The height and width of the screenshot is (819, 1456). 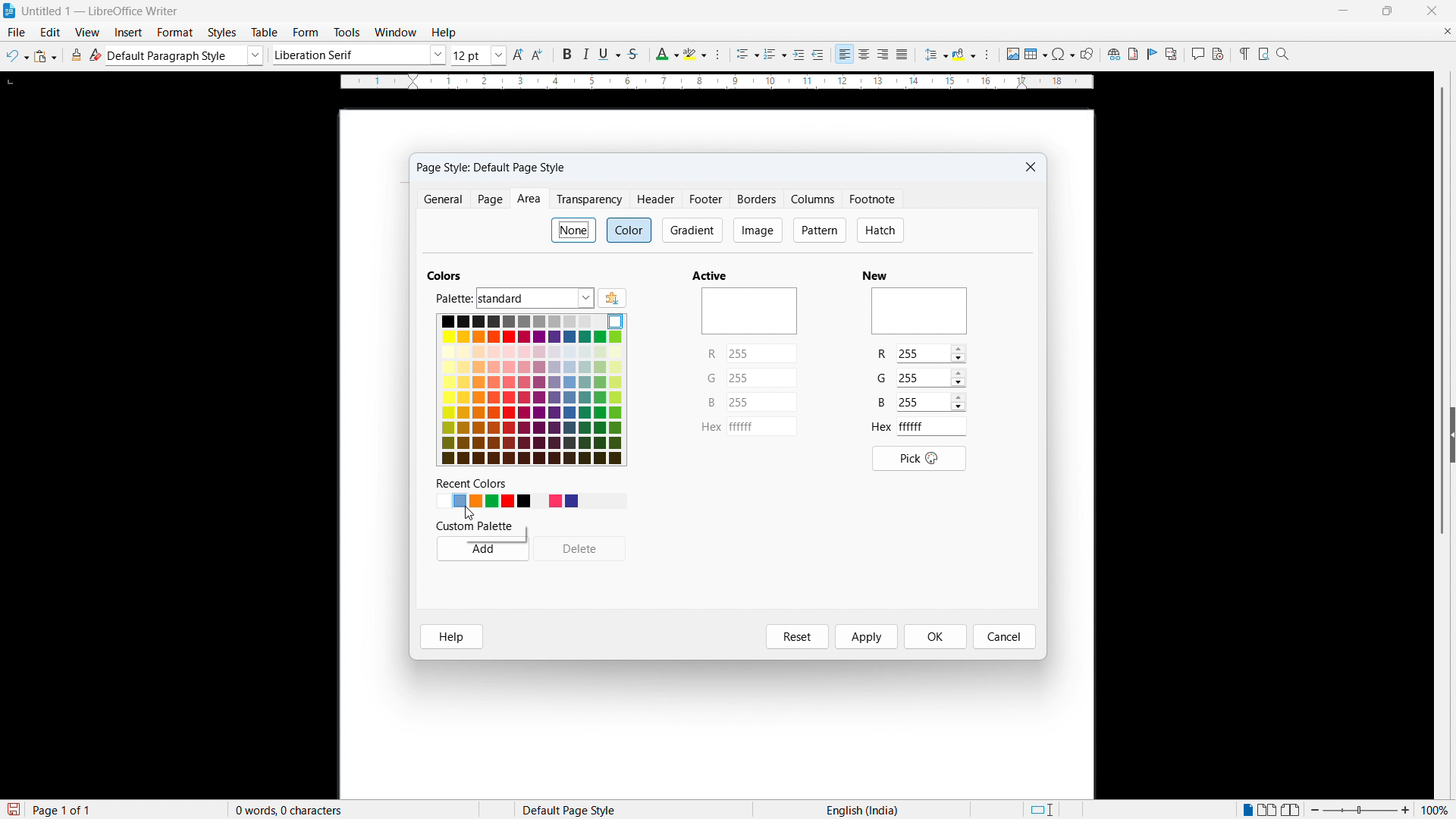 What do you see at coordinates (1197, 54) in the screenshot?
I see `Insert comment ` at bounding box center [1197, 54].